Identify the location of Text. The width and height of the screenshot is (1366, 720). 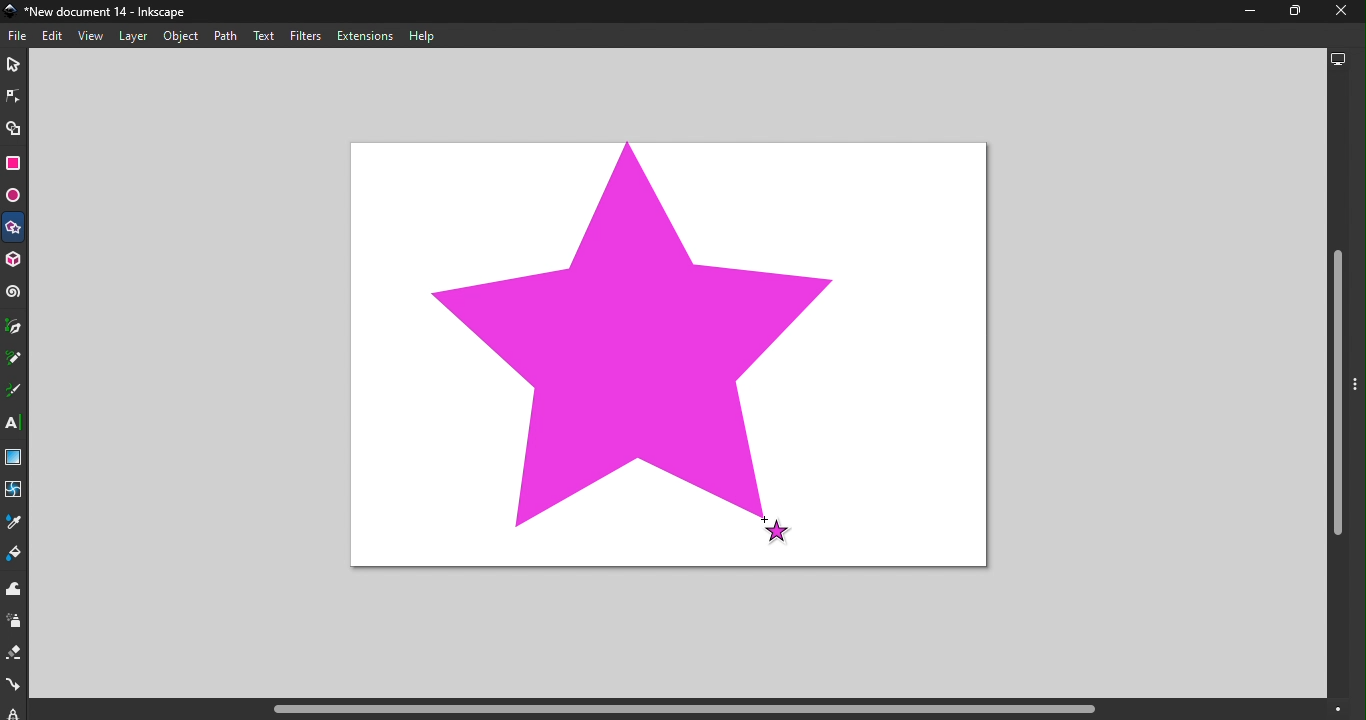
(263, 35).